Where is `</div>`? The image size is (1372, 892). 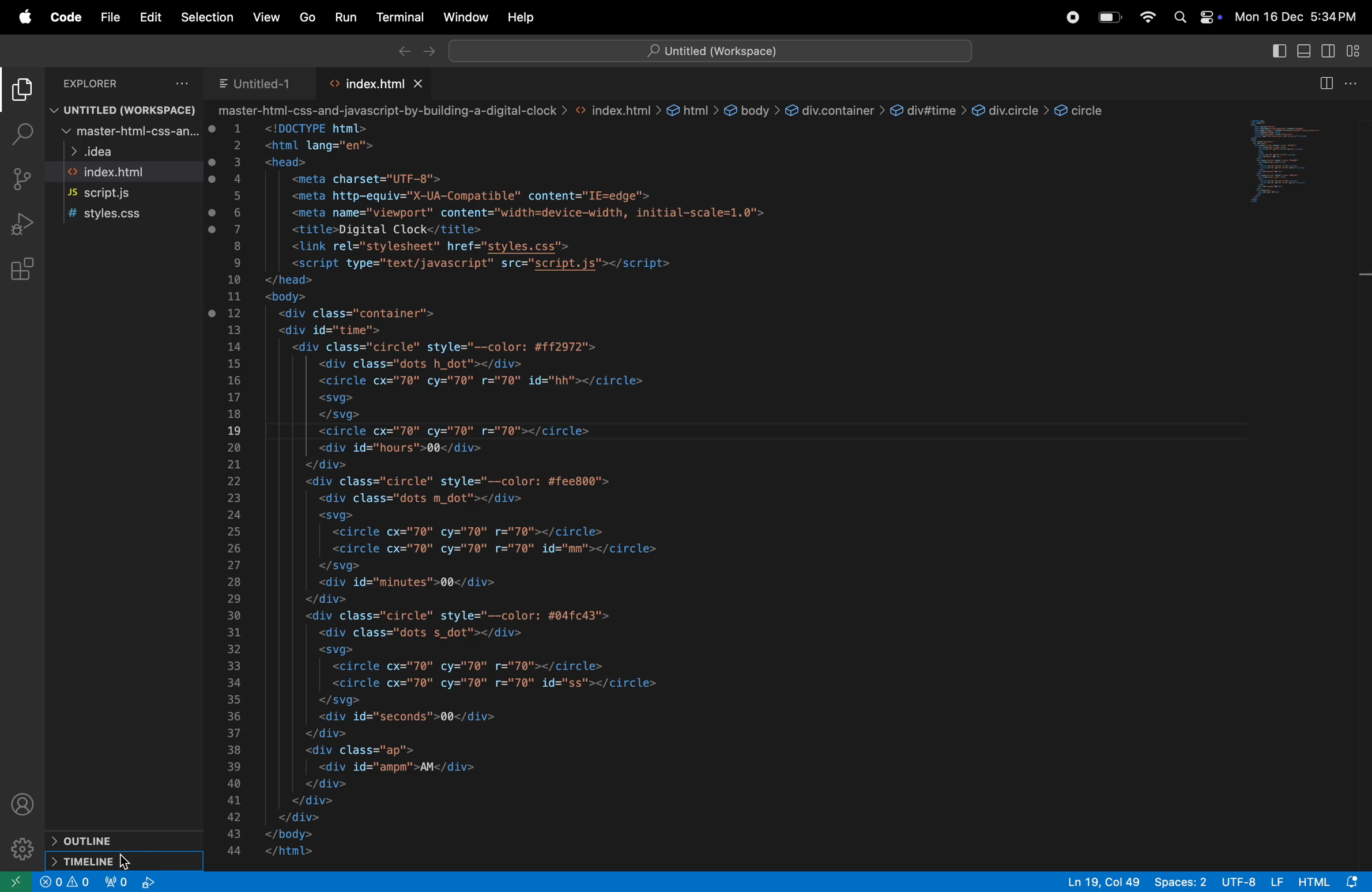 </div> is located at coordinates (321, 800).